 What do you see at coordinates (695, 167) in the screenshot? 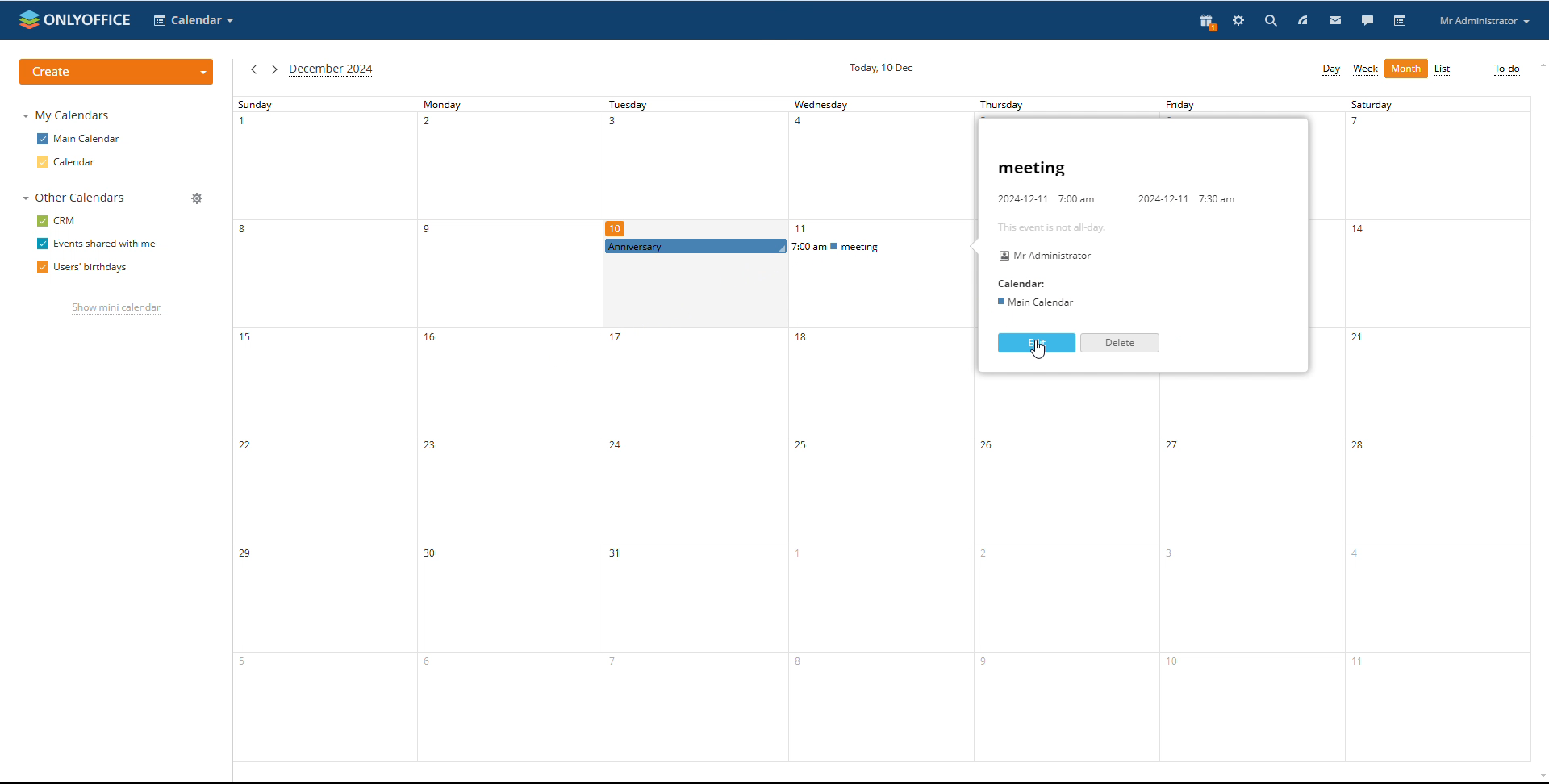
I see `tuesday` at bounding box center [695, 167].